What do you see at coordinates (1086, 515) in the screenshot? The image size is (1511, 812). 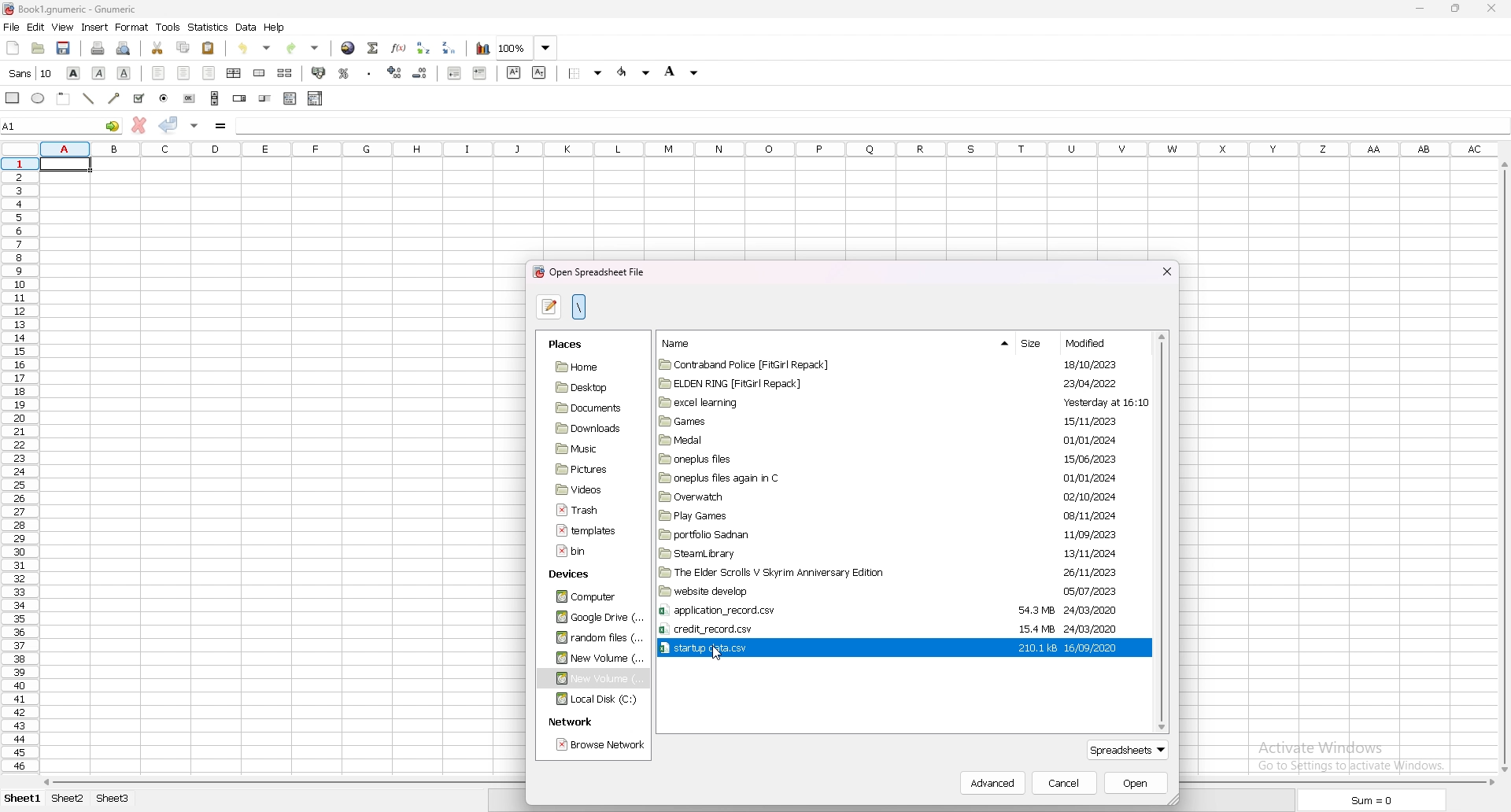 I see `08/11/2024` at bounding box center [1086, 515].